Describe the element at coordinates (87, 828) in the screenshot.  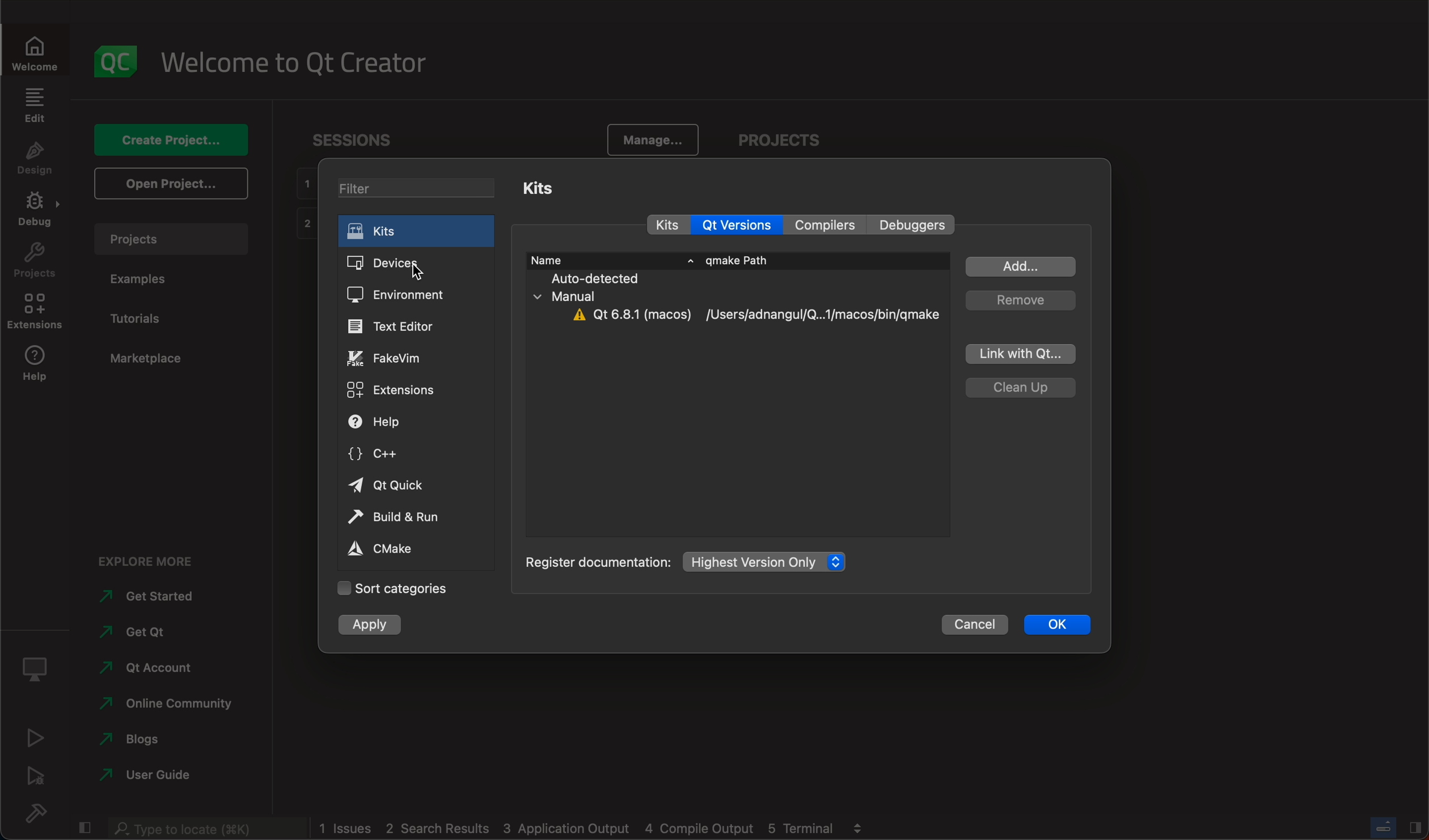
I see `Hide/Show left sidebar` at that location.